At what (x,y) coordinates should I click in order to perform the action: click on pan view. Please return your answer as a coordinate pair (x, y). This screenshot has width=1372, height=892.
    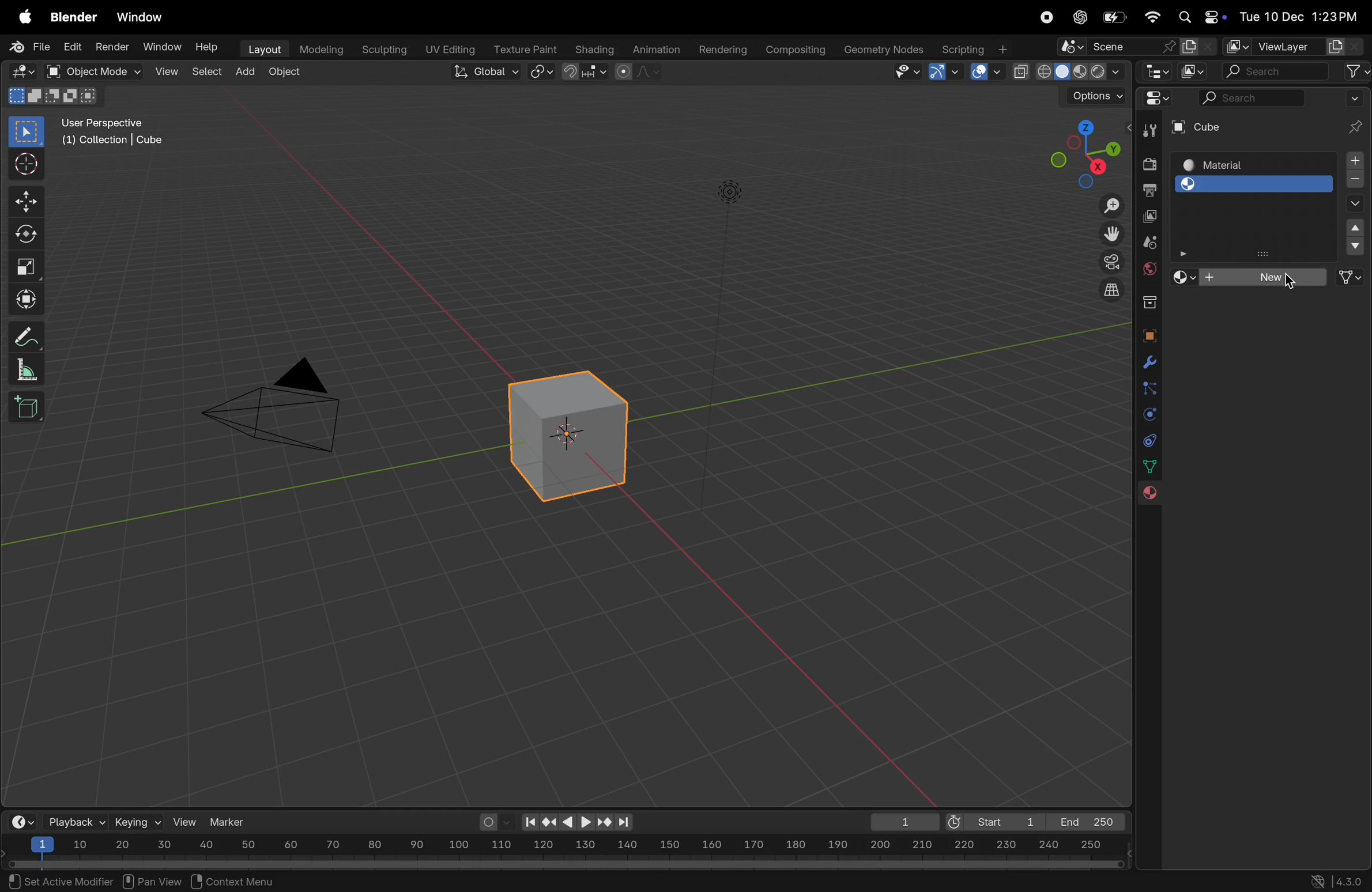
    Looking at the image, I should click on (152, 880).